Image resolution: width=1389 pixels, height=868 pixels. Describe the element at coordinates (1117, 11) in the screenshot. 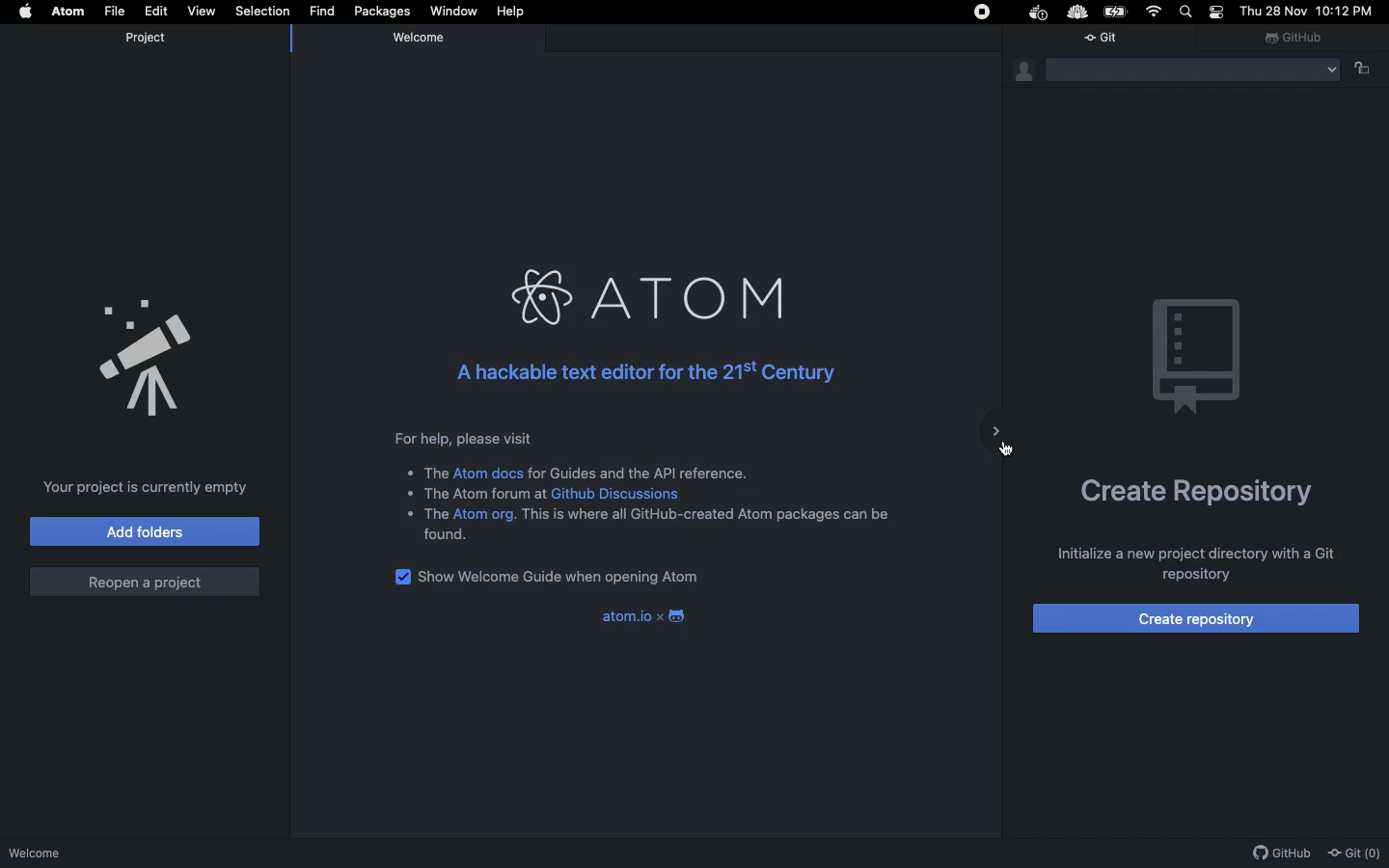

I see `Battery` at that location.